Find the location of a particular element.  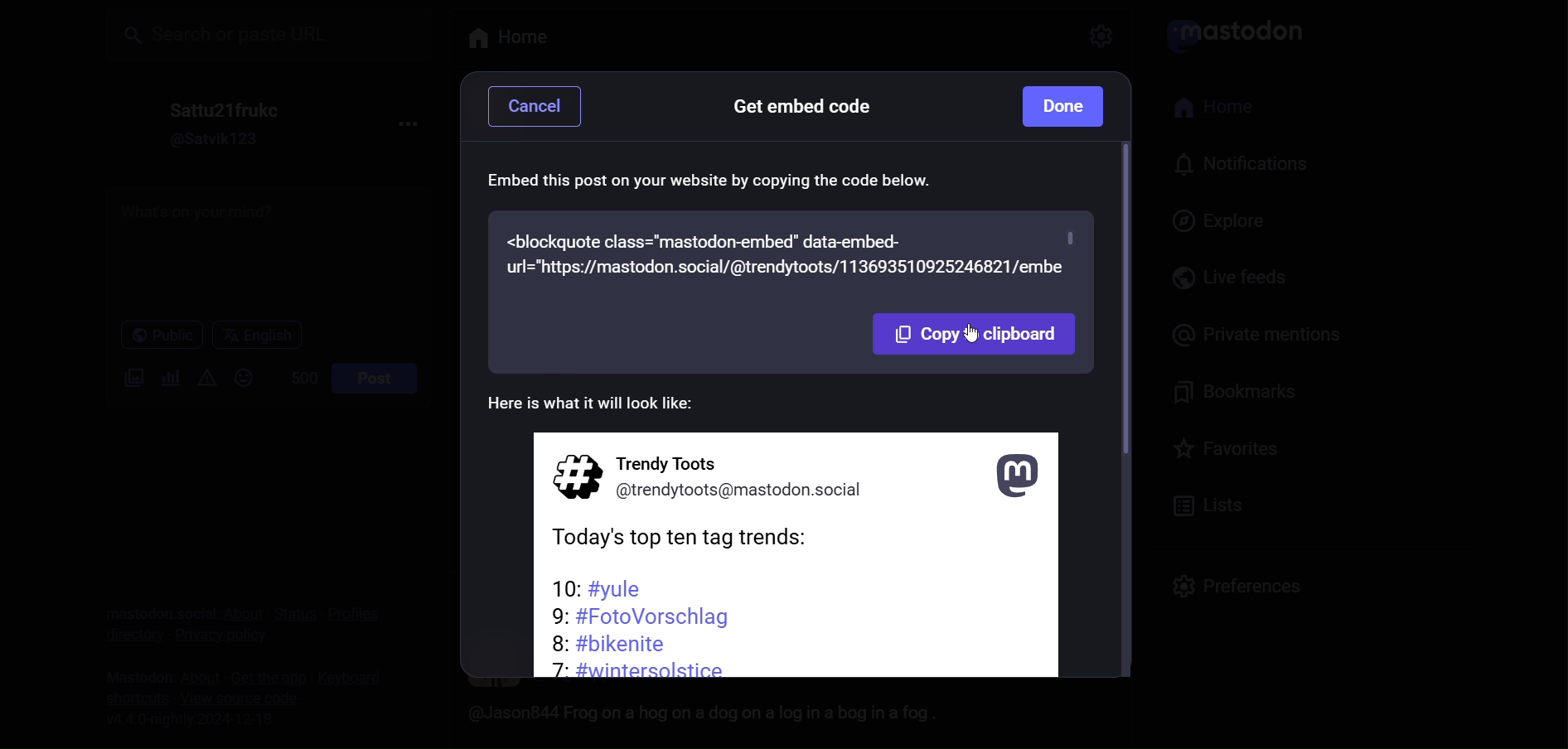

cursor is located at coordinates (990, 339).